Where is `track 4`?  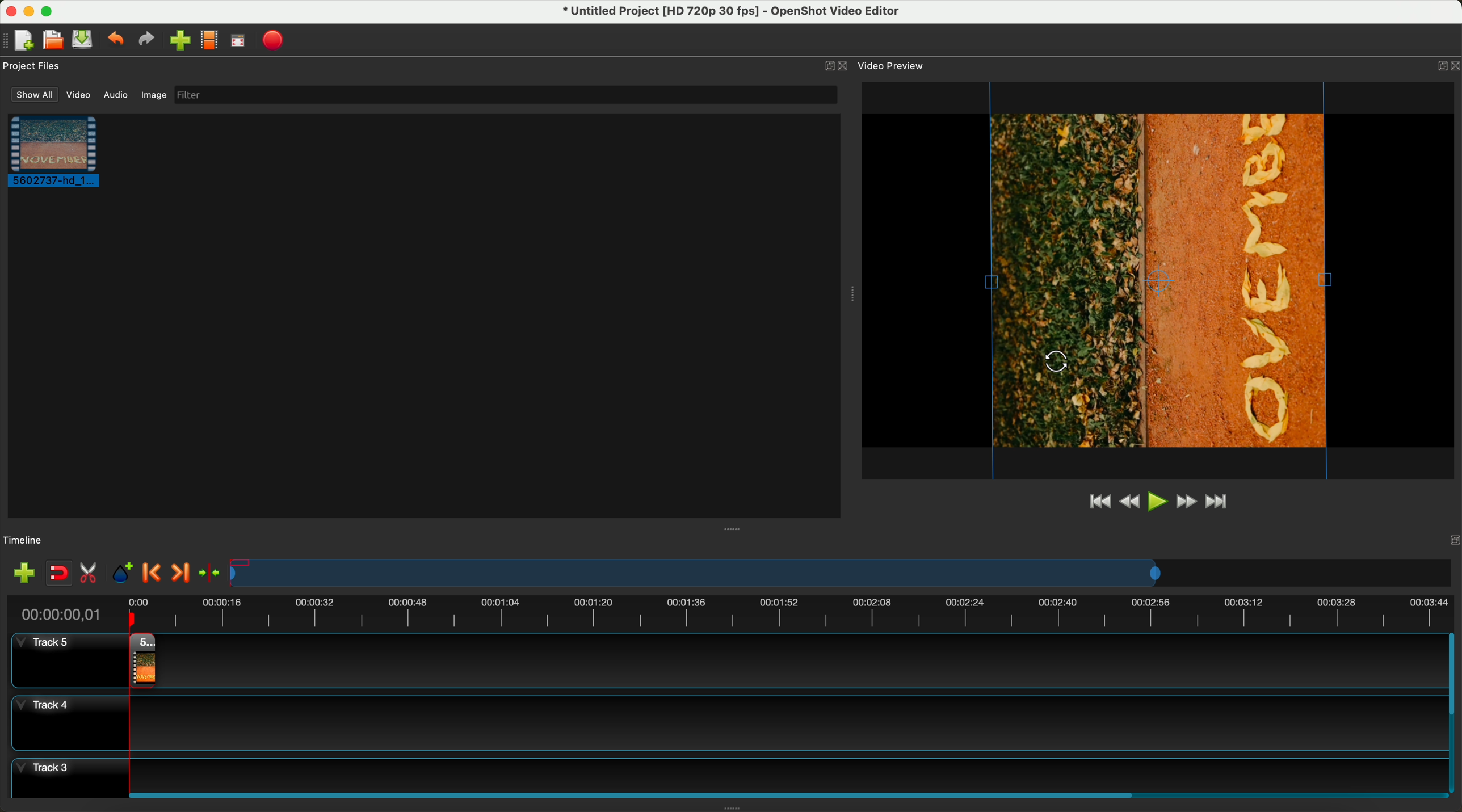 track 4 is located at coordinates (725, 725).